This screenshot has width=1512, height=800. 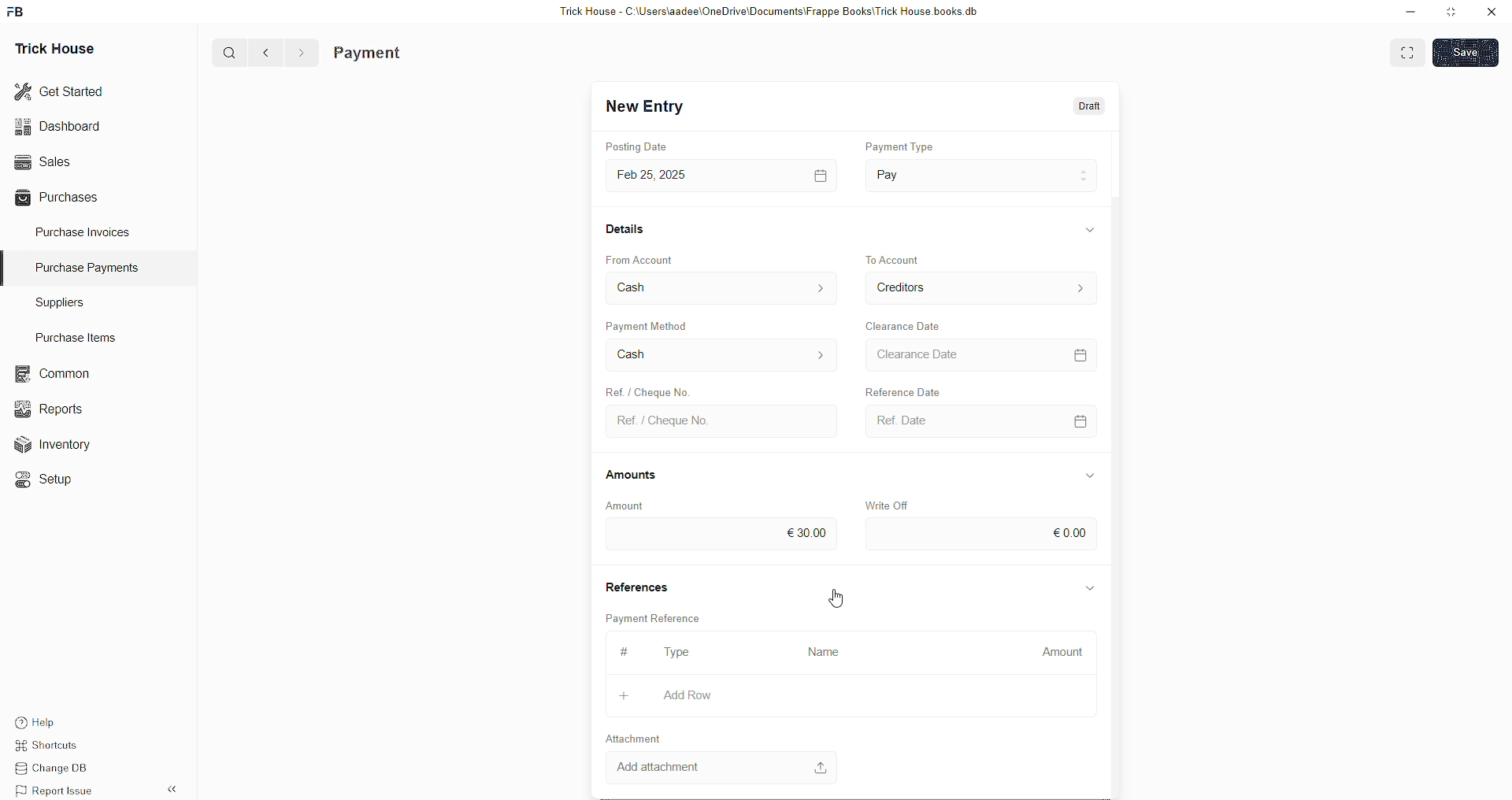 I want to click on Add Row, so click(x=665, y=694).